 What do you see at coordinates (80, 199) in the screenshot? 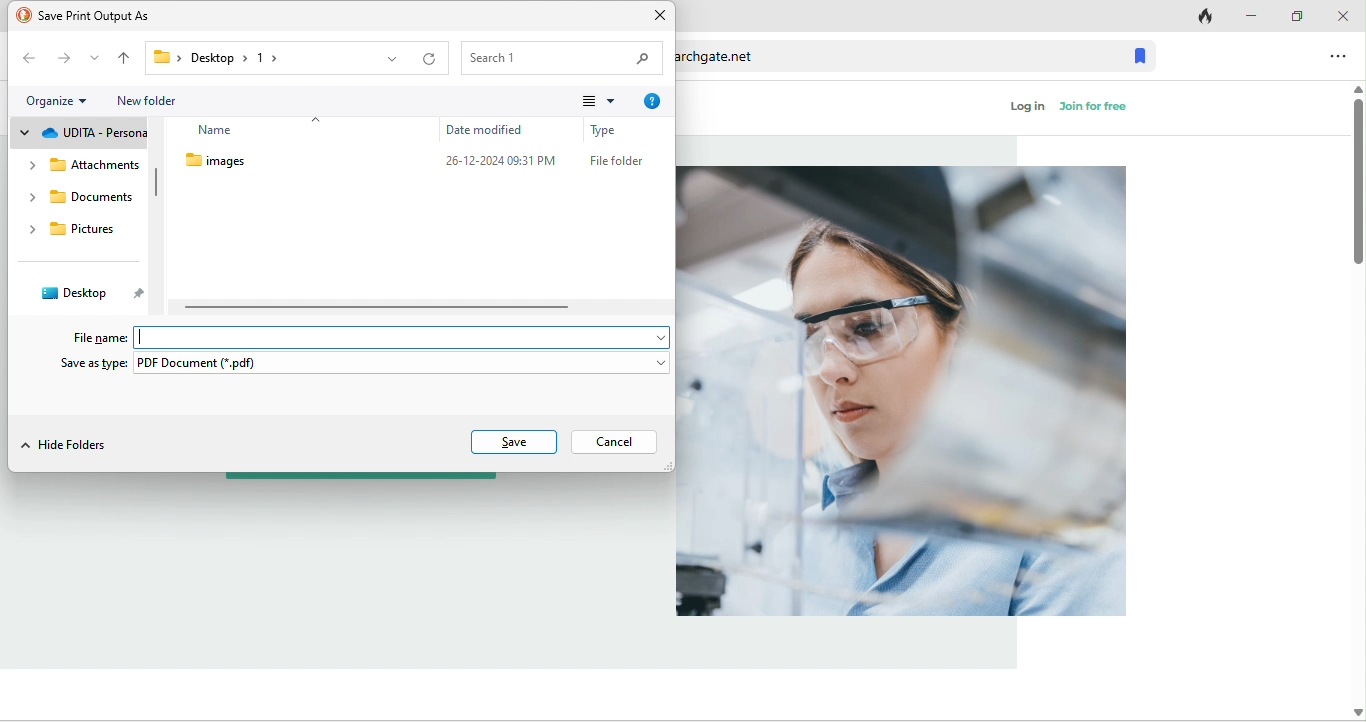
I see `documents` at bounding box center [80, 199].